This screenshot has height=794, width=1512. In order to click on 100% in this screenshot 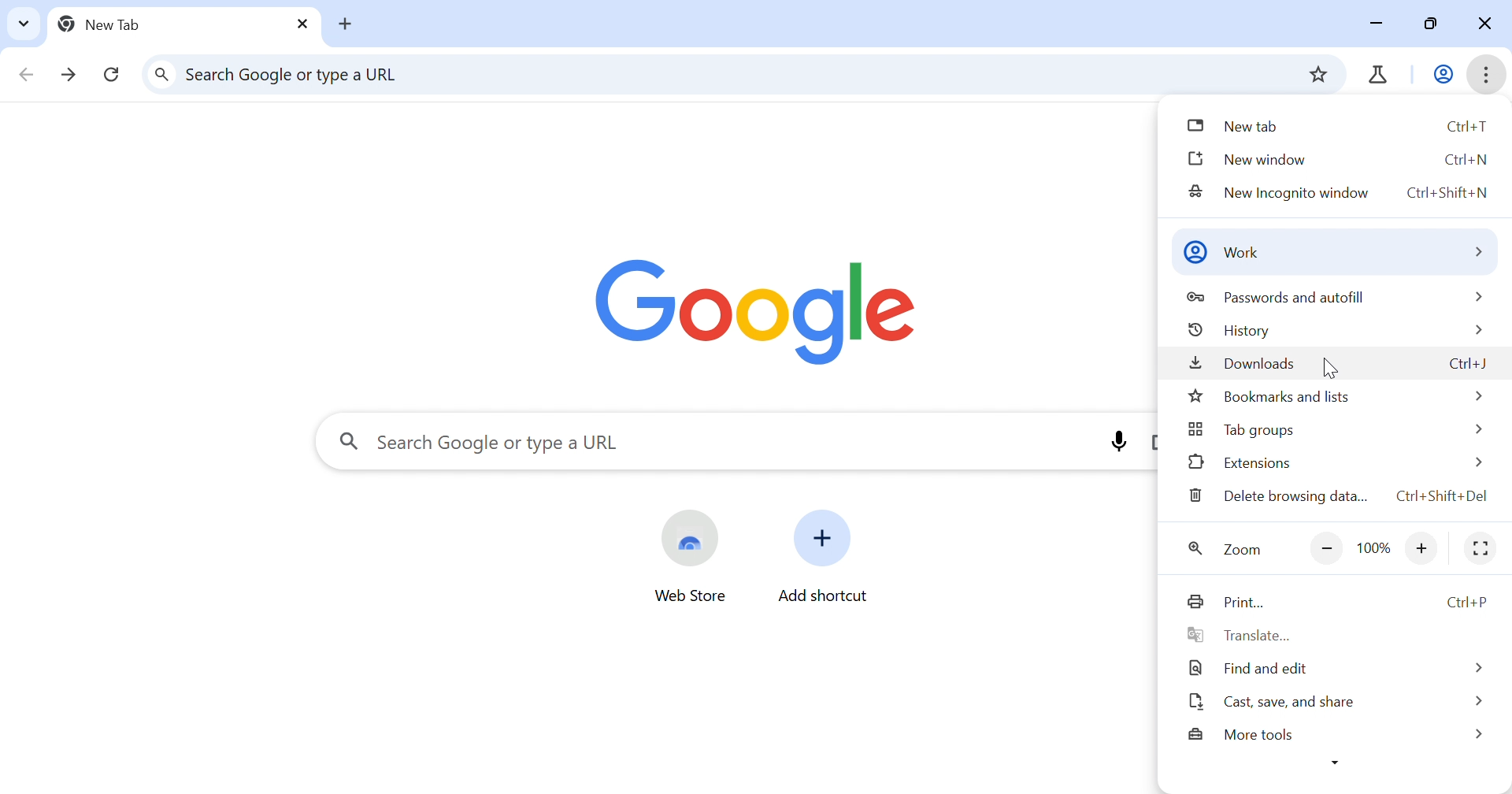, I will do `click(1373, 550)`.